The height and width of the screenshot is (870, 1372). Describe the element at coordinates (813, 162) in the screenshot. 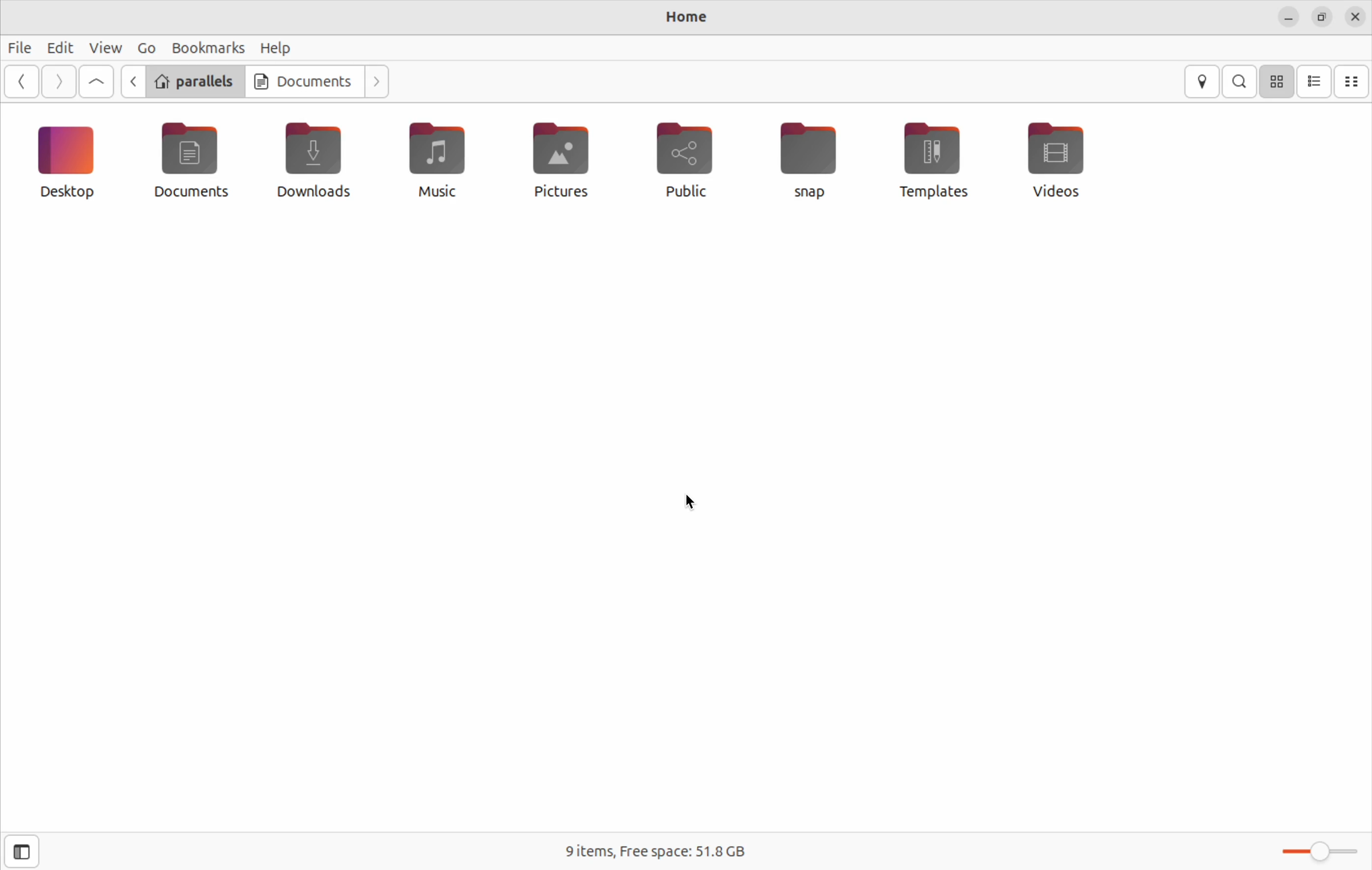

I see `snap files` at that location.